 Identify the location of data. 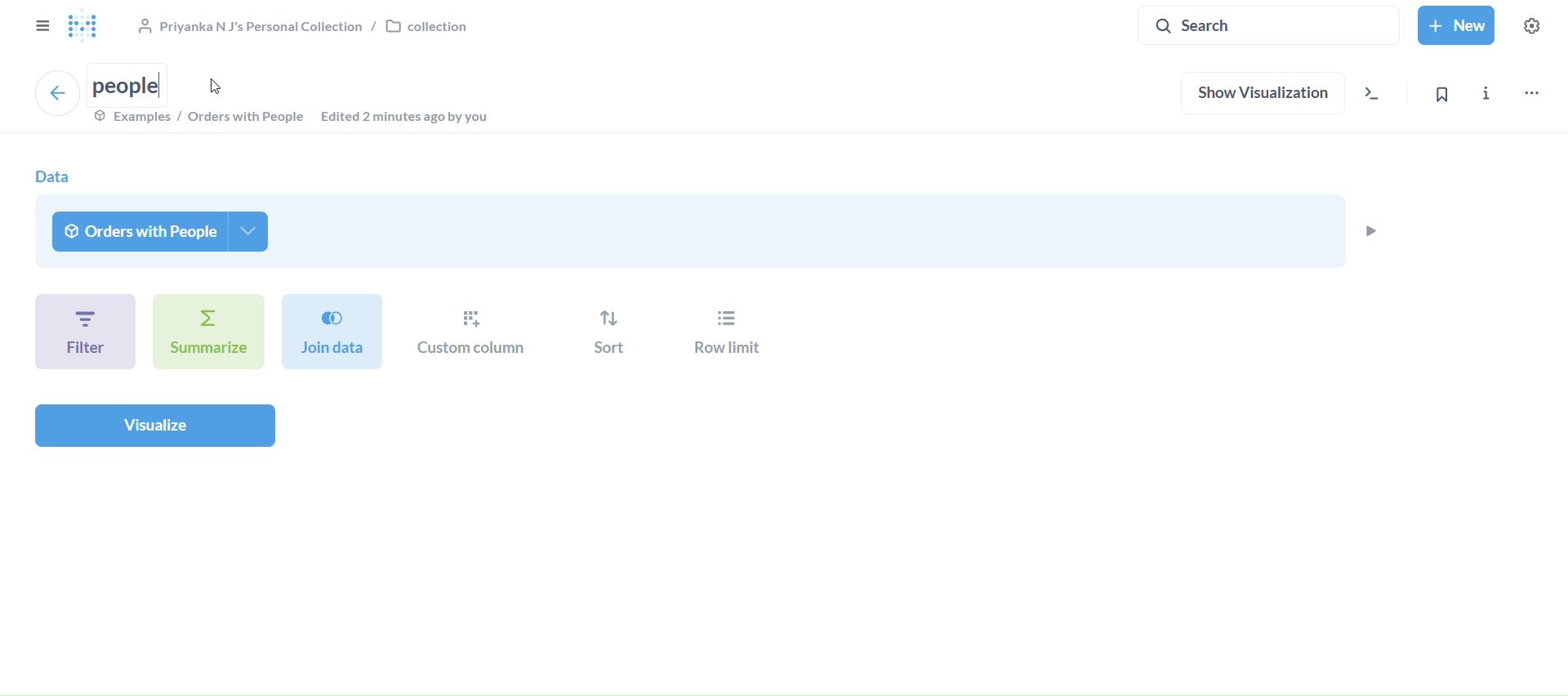
(52, 176).